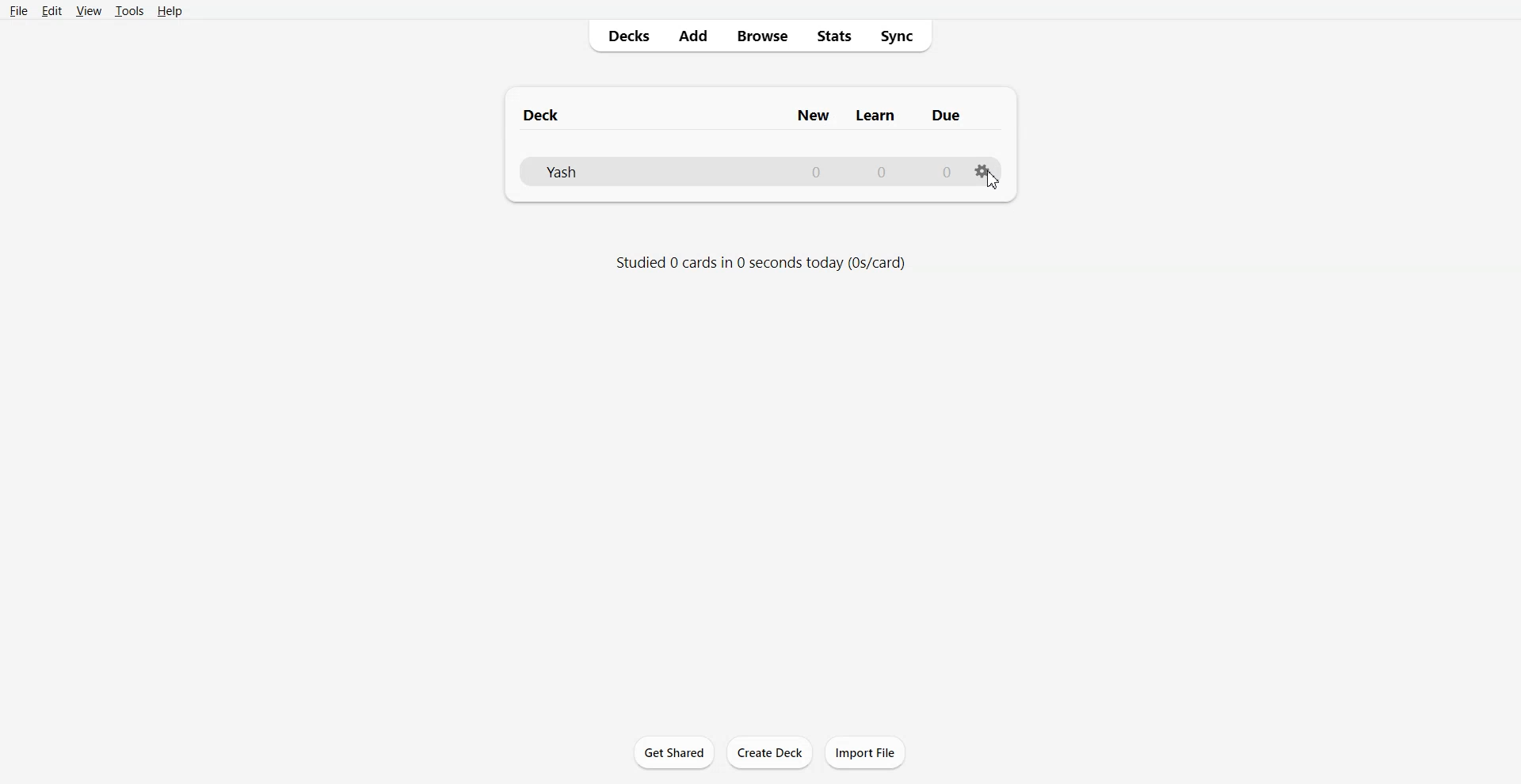 Image resolution: width=1521 pixels, height=784 pixels. I want to click on Add, so click(692, 36).